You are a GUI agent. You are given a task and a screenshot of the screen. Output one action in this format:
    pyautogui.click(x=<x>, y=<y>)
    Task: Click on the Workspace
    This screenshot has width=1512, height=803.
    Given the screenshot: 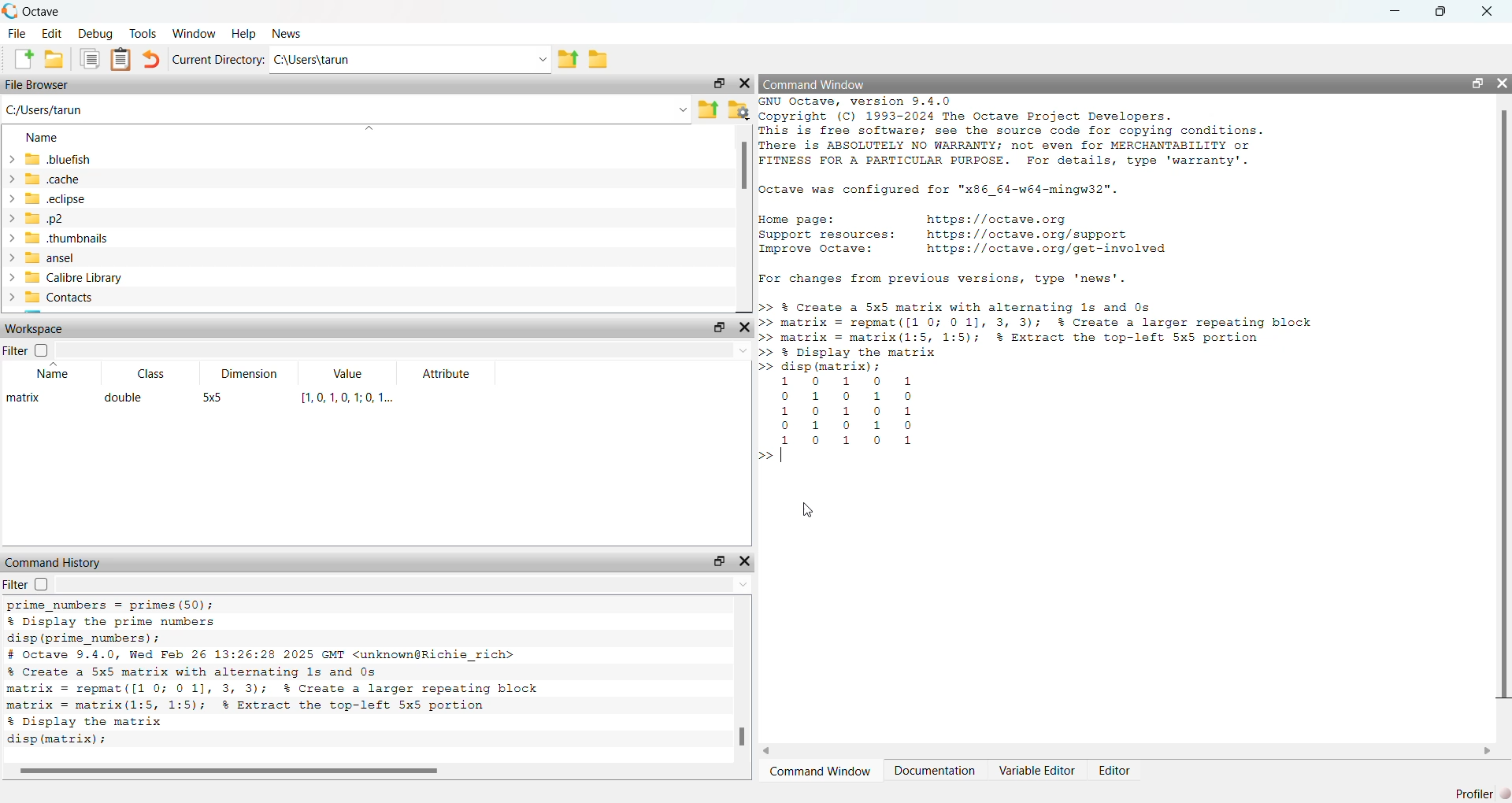 What is the action you would take?
    pyautogui.click(x=35, y=328)
    